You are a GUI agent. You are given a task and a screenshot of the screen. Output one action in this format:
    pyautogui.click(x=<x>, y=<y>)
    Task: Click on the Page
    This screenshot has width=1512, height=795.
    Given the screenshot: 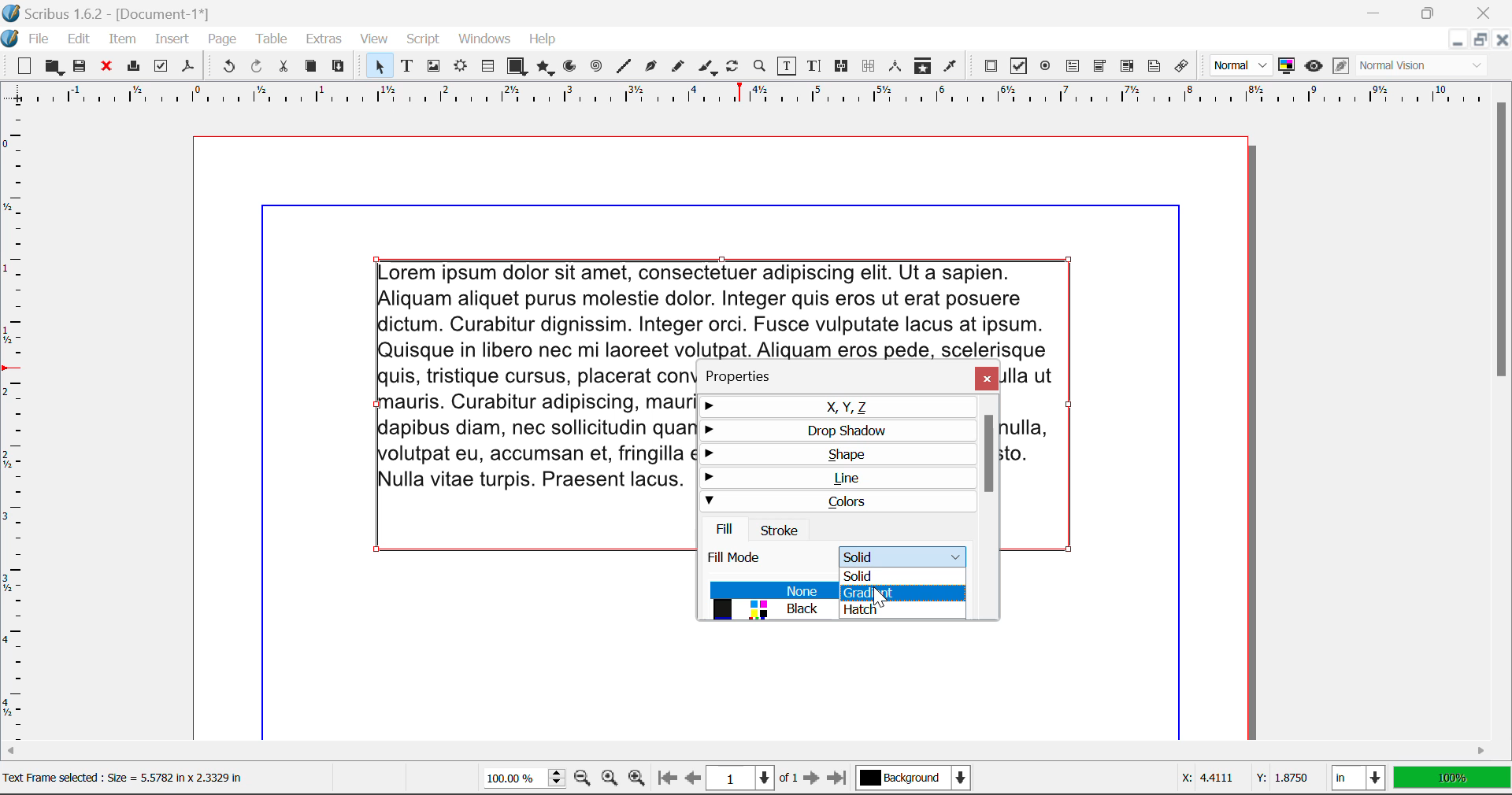 What is the action you would take?
    pyautogui.click(x=221, y=40)
    